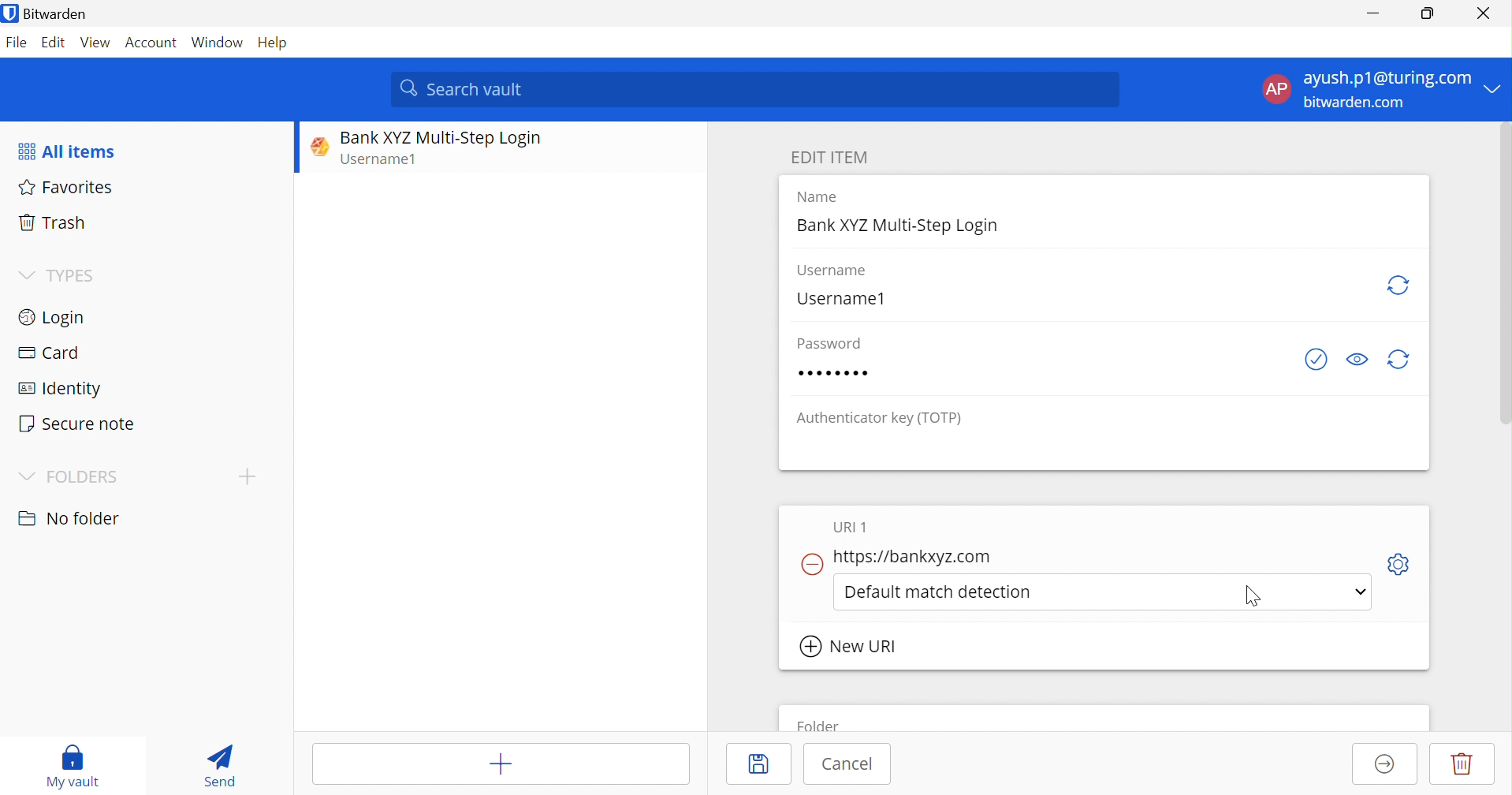  I want to click on Bitwarden, so click(49, 15).